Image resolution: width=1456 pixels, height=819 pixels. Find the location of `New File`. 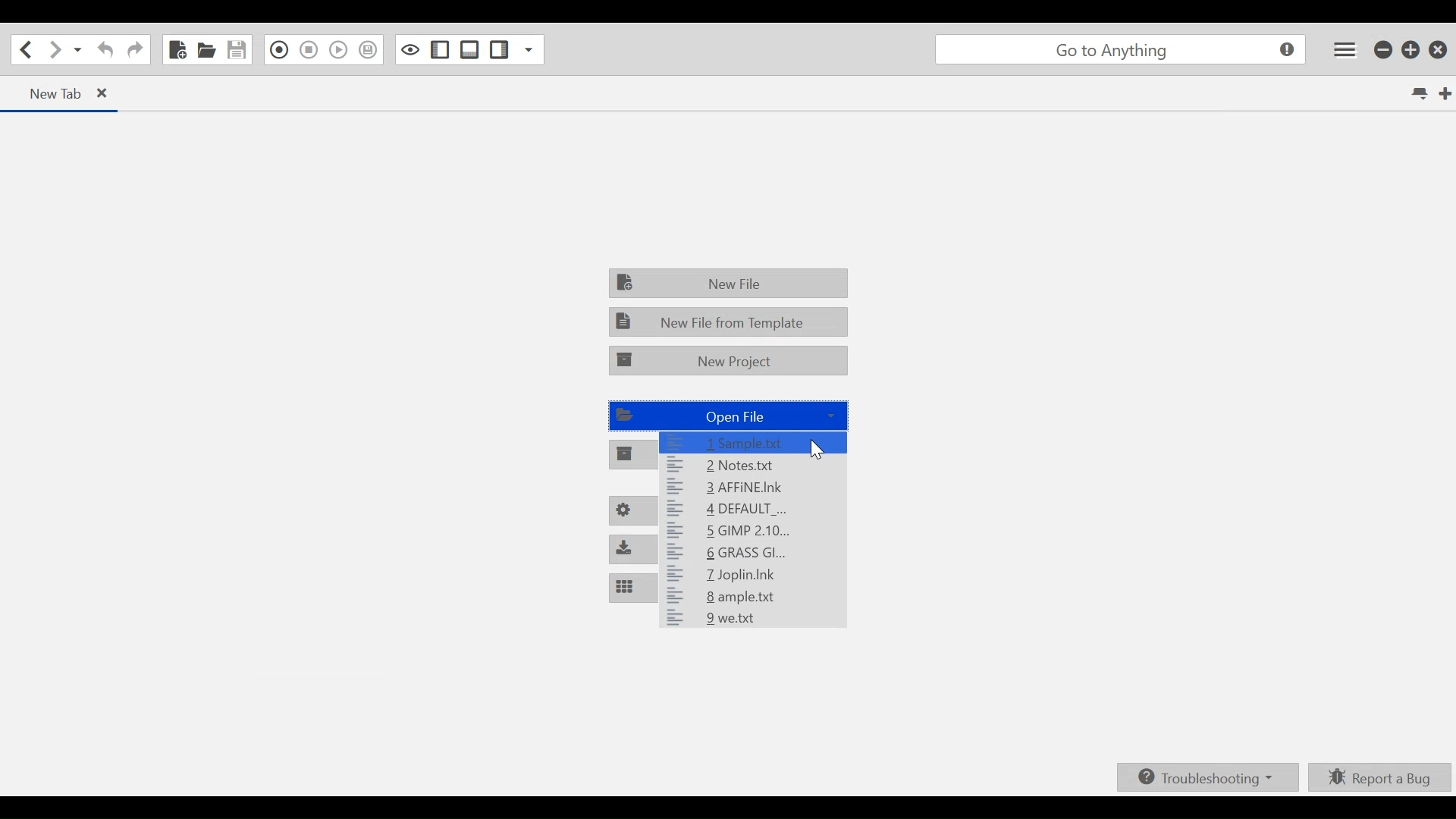

New File is located at coordinates (727, 282).